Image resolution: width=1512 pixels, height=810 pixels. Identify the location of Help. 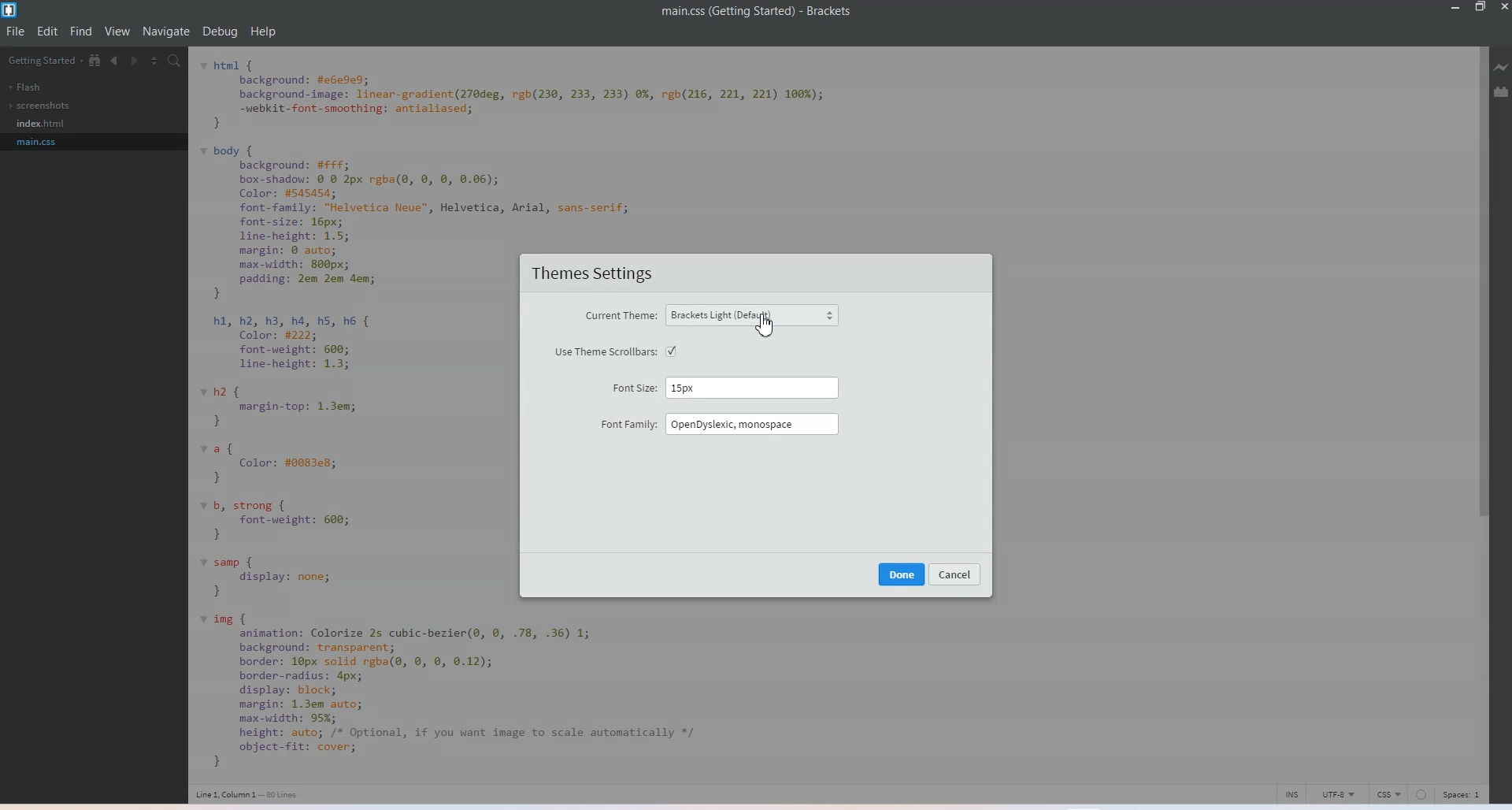
(264, 32).